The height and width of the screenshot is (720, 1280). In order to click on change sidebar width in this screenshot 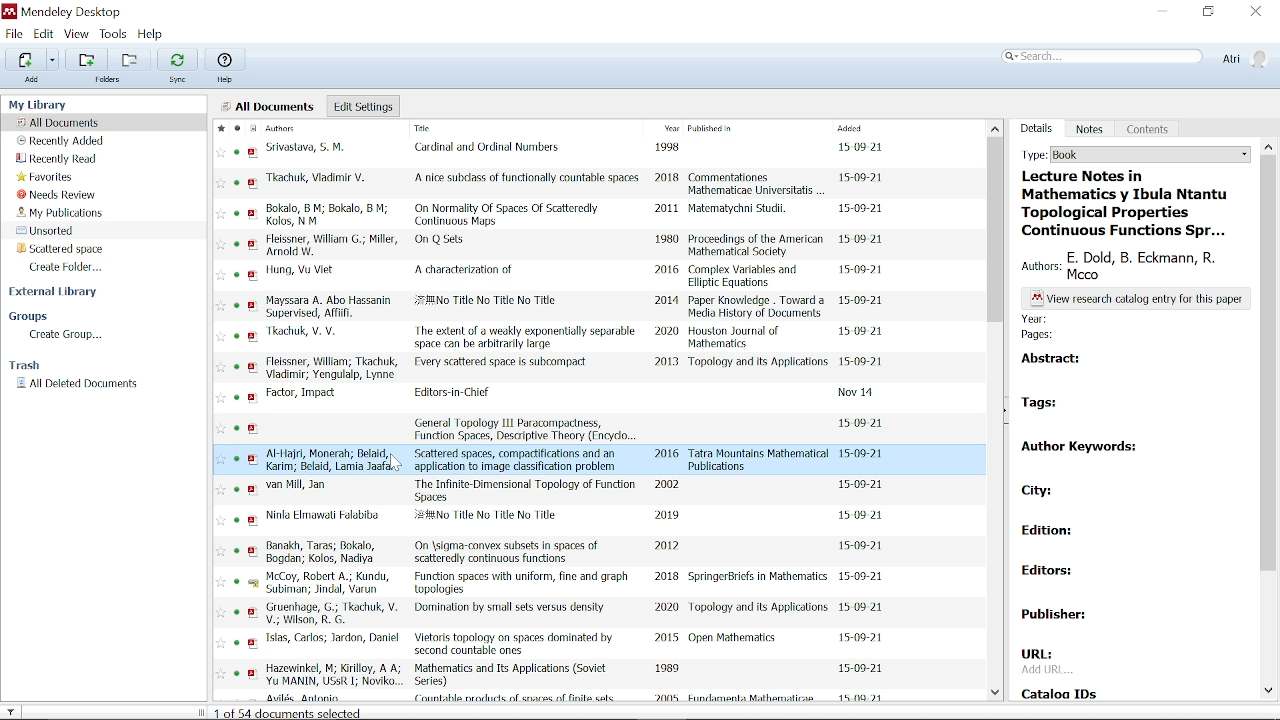, I will do `click(200, 712)`.